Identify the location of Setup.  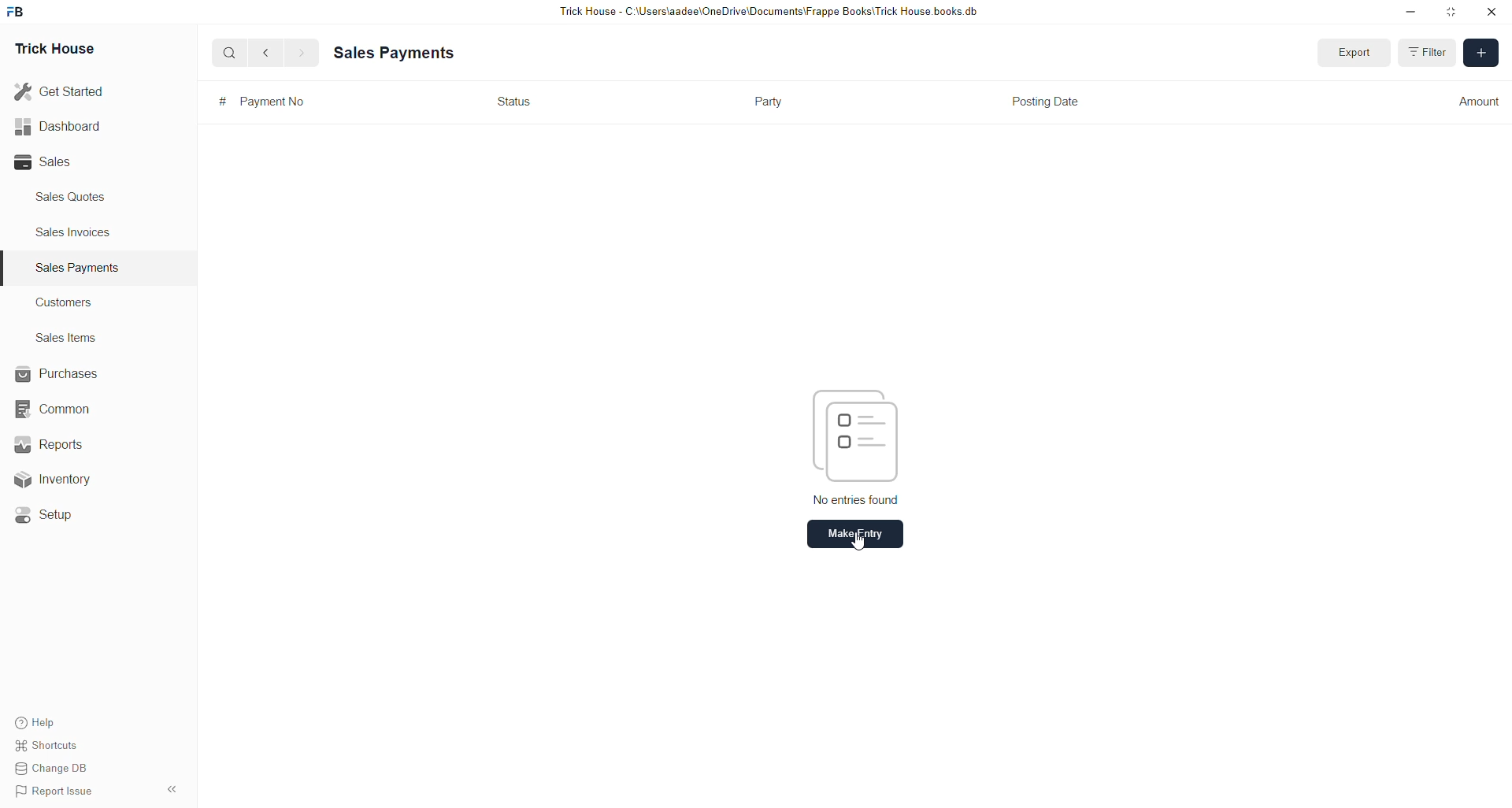
(51, 517).